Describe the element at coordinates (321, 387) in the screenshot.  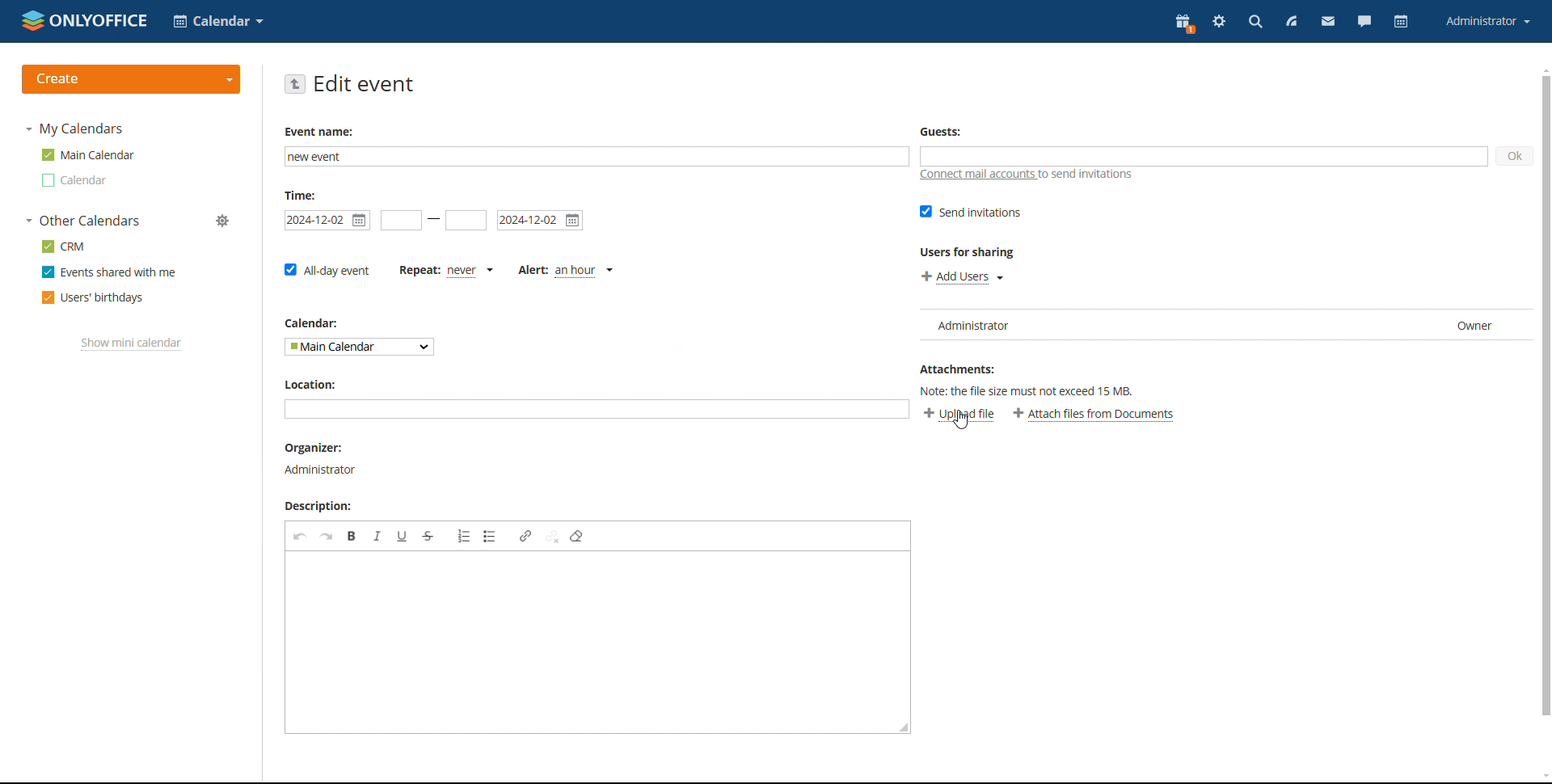
I see `locations` at that location.